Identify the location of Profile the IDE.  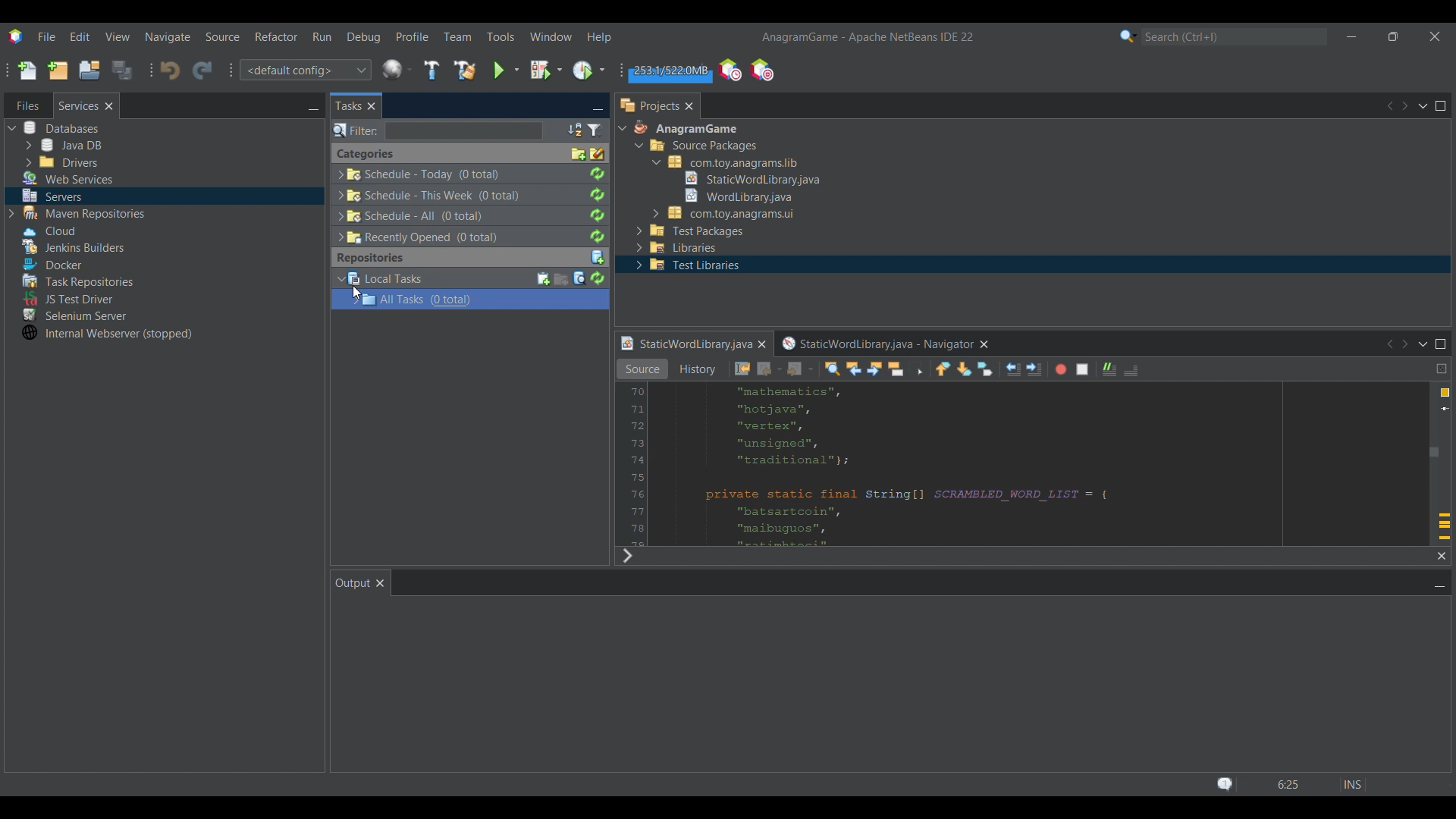
(730, 69).